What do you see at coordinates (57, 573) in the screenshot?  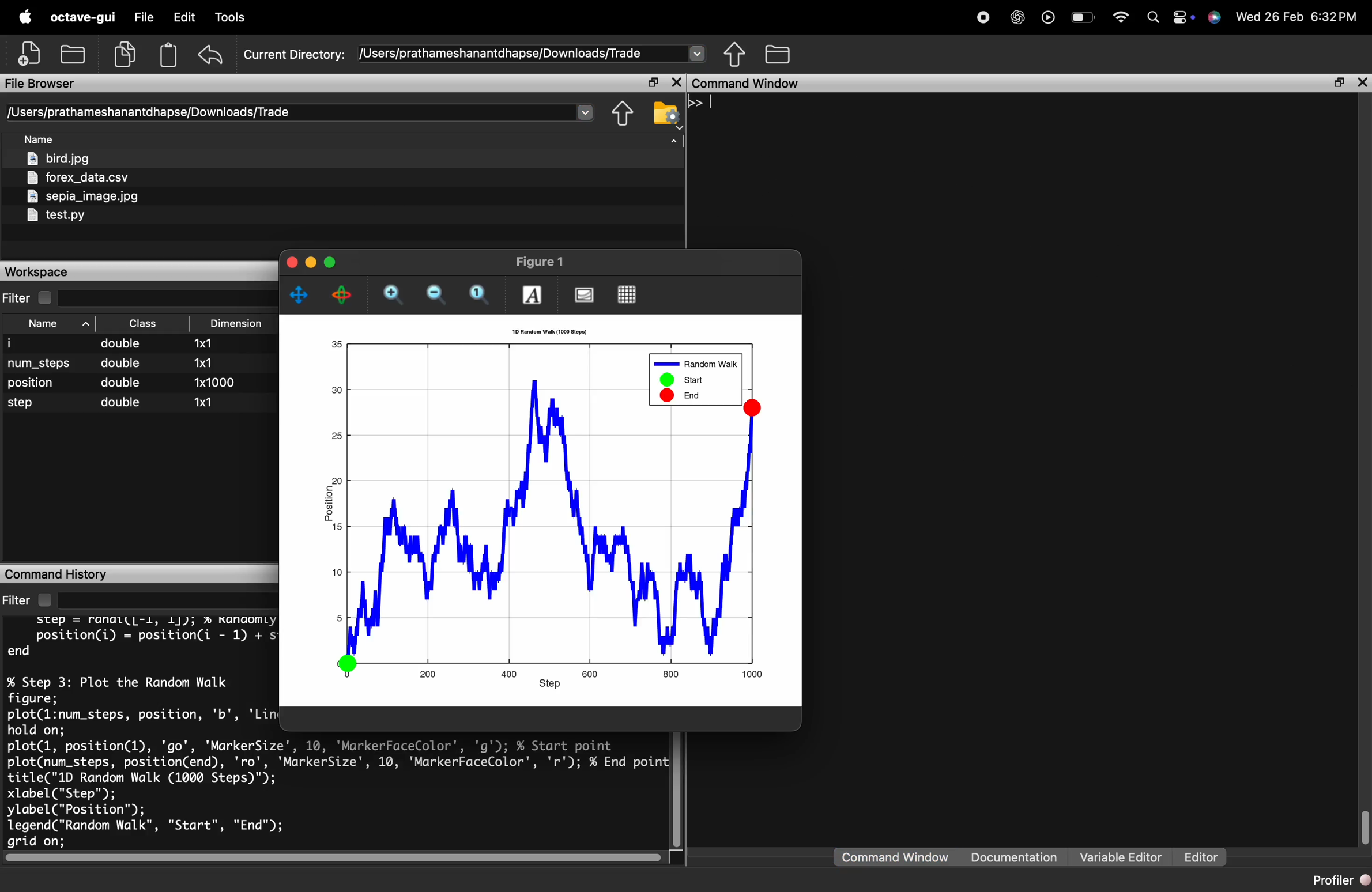 I see `command history` at bounding box center [57, 573].